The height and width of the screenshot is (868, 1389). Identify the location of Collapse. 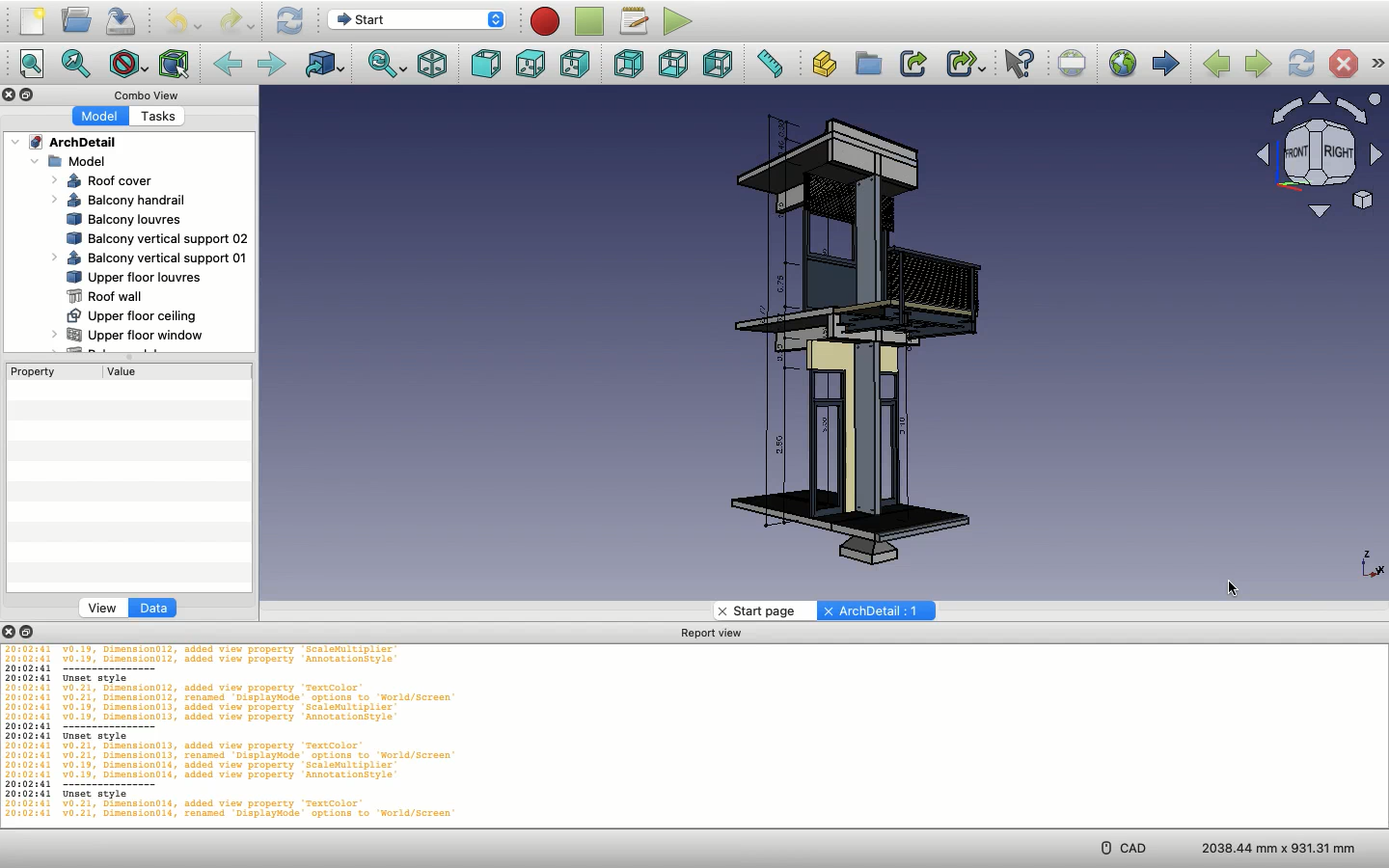
(27, 95).